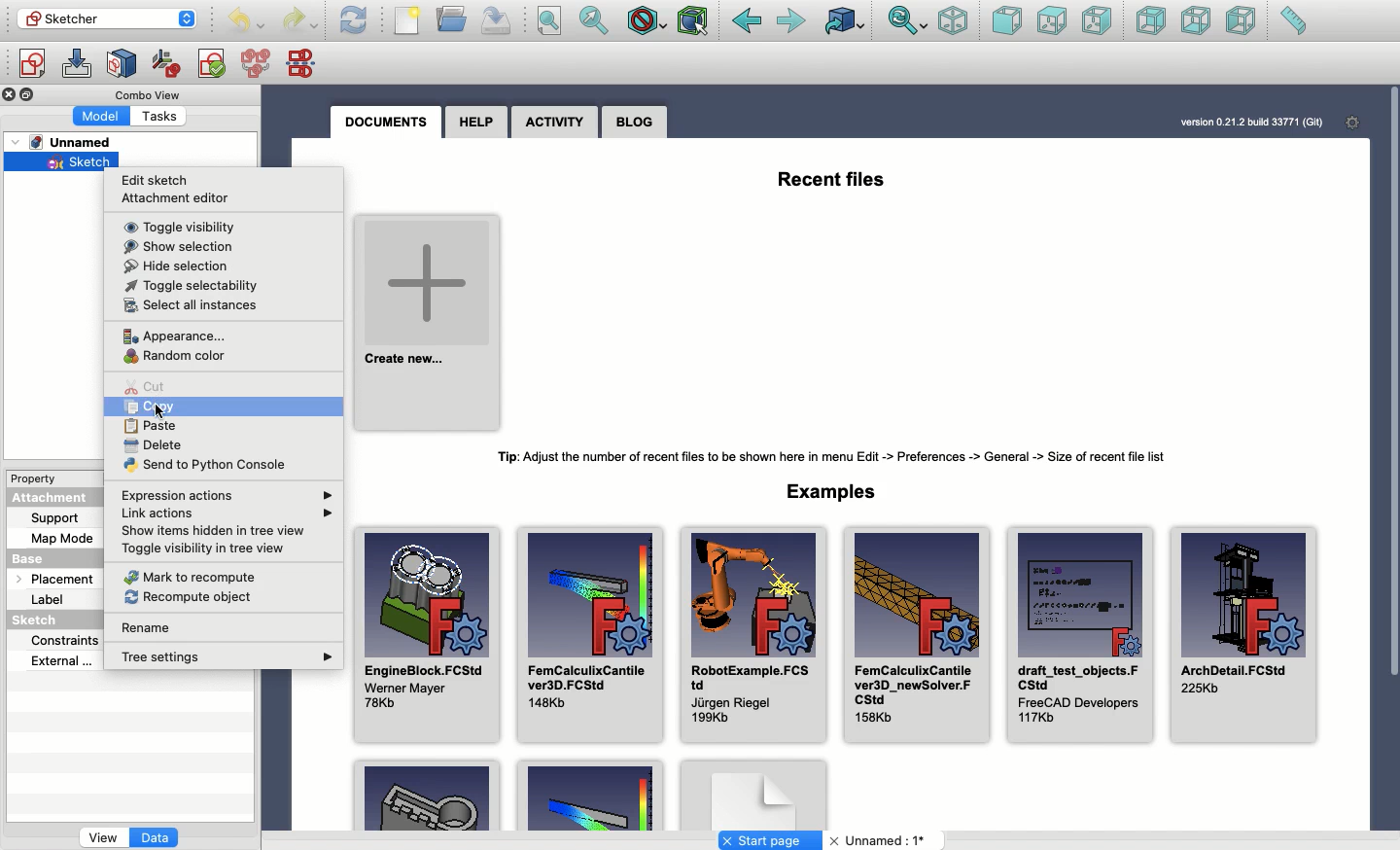 The height and width of the screenshot is (850, 1400). I want to click on External, so click(59, 663).